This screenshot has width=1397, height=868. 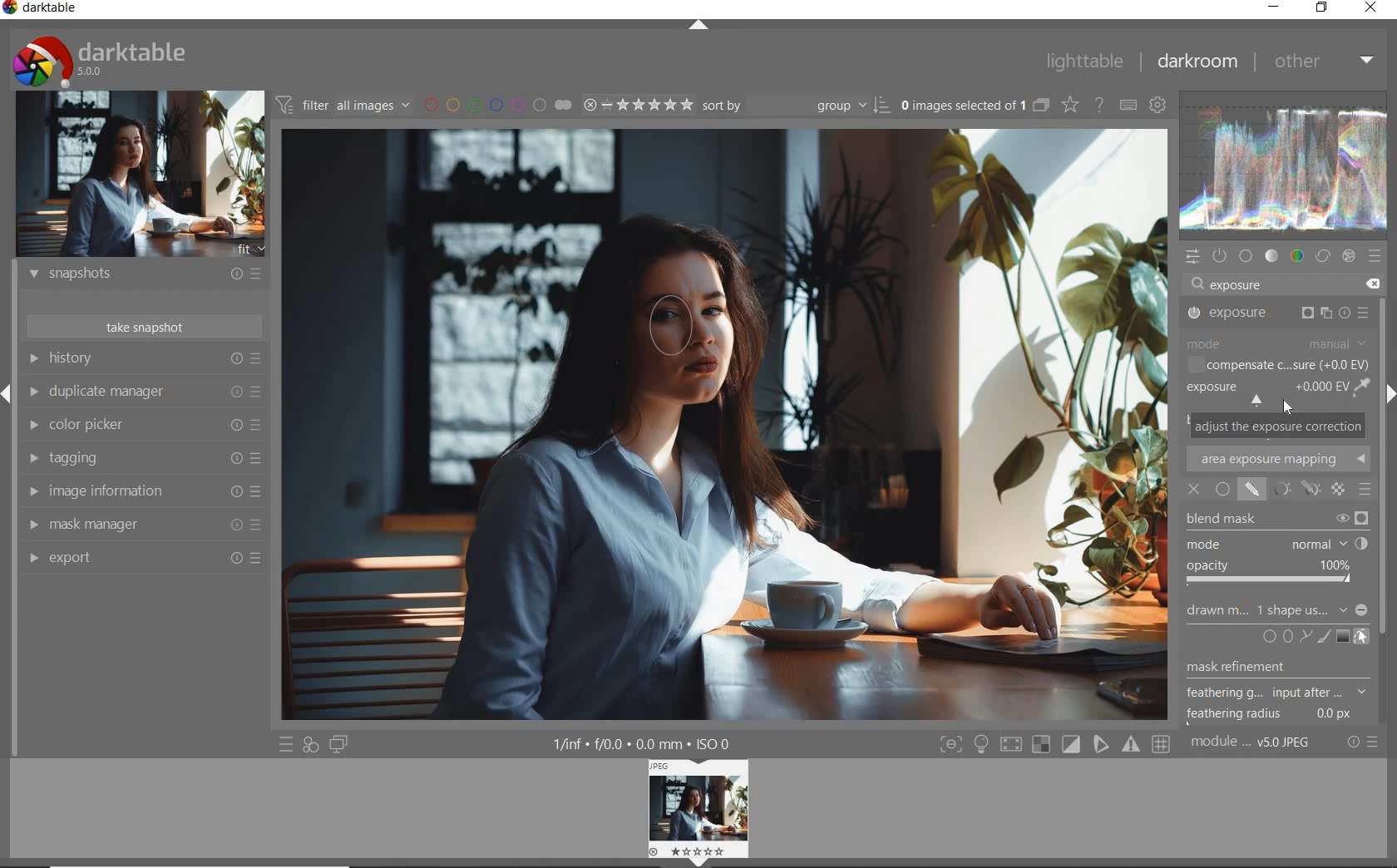 What do you see at coordinates (1266, 394) in the screenshot?
I see `EXPOSURE` at bounding box center [1266, 394].